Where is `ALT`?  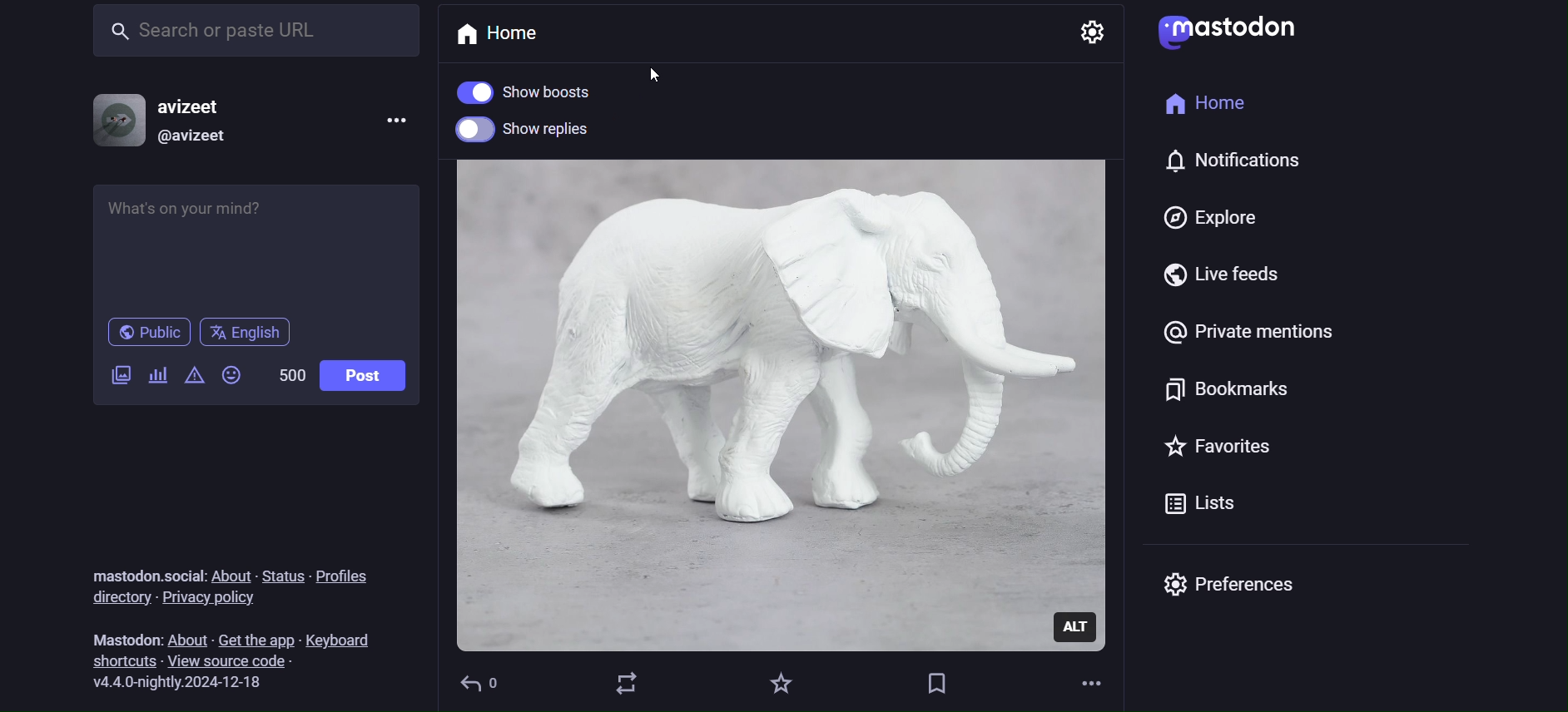 ALT is located at coordinates (1076, 626).